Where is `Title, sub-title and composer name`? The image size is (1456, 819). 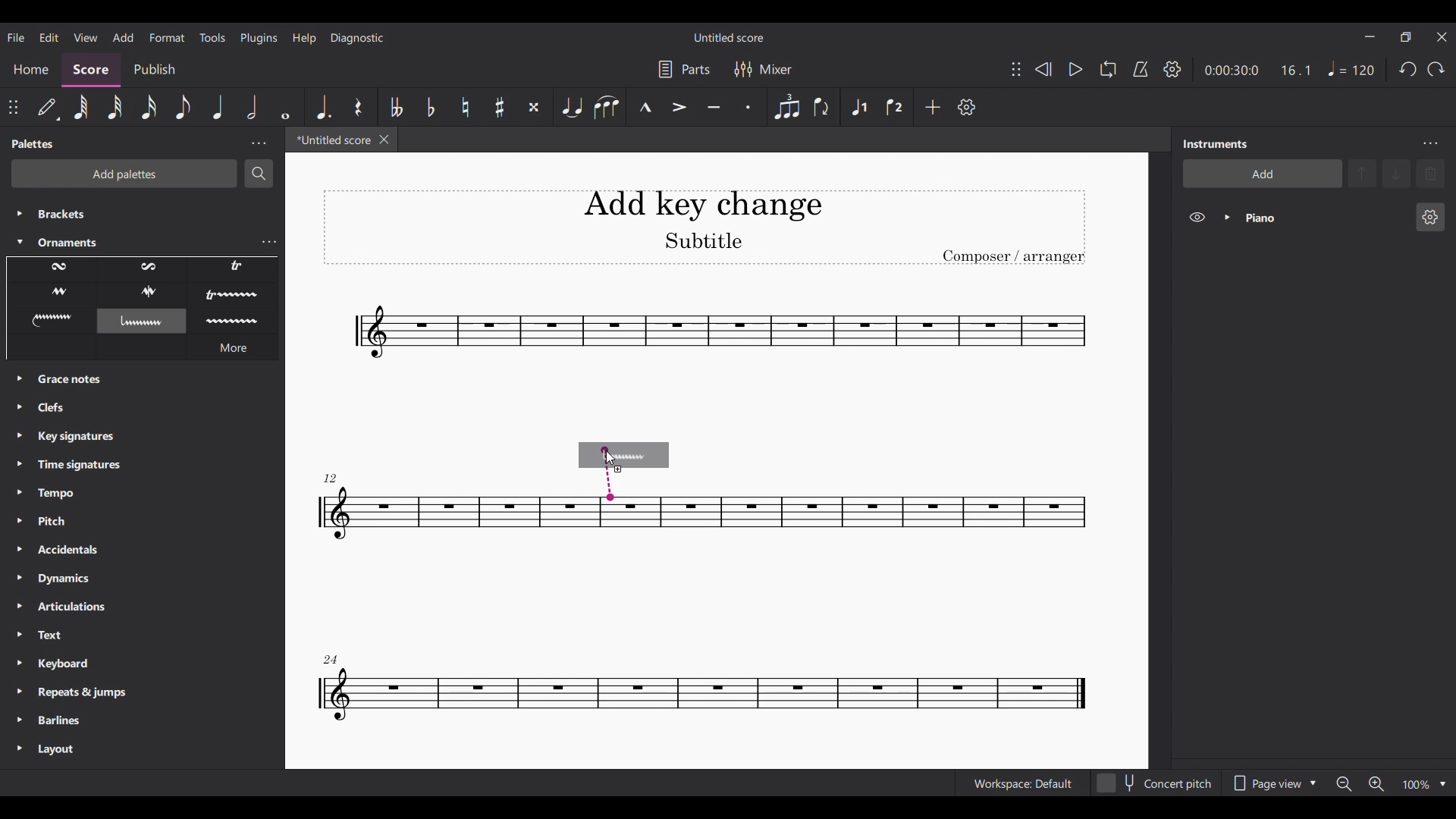 Title, sub-title and composer name is located at coordinates (704, 227).